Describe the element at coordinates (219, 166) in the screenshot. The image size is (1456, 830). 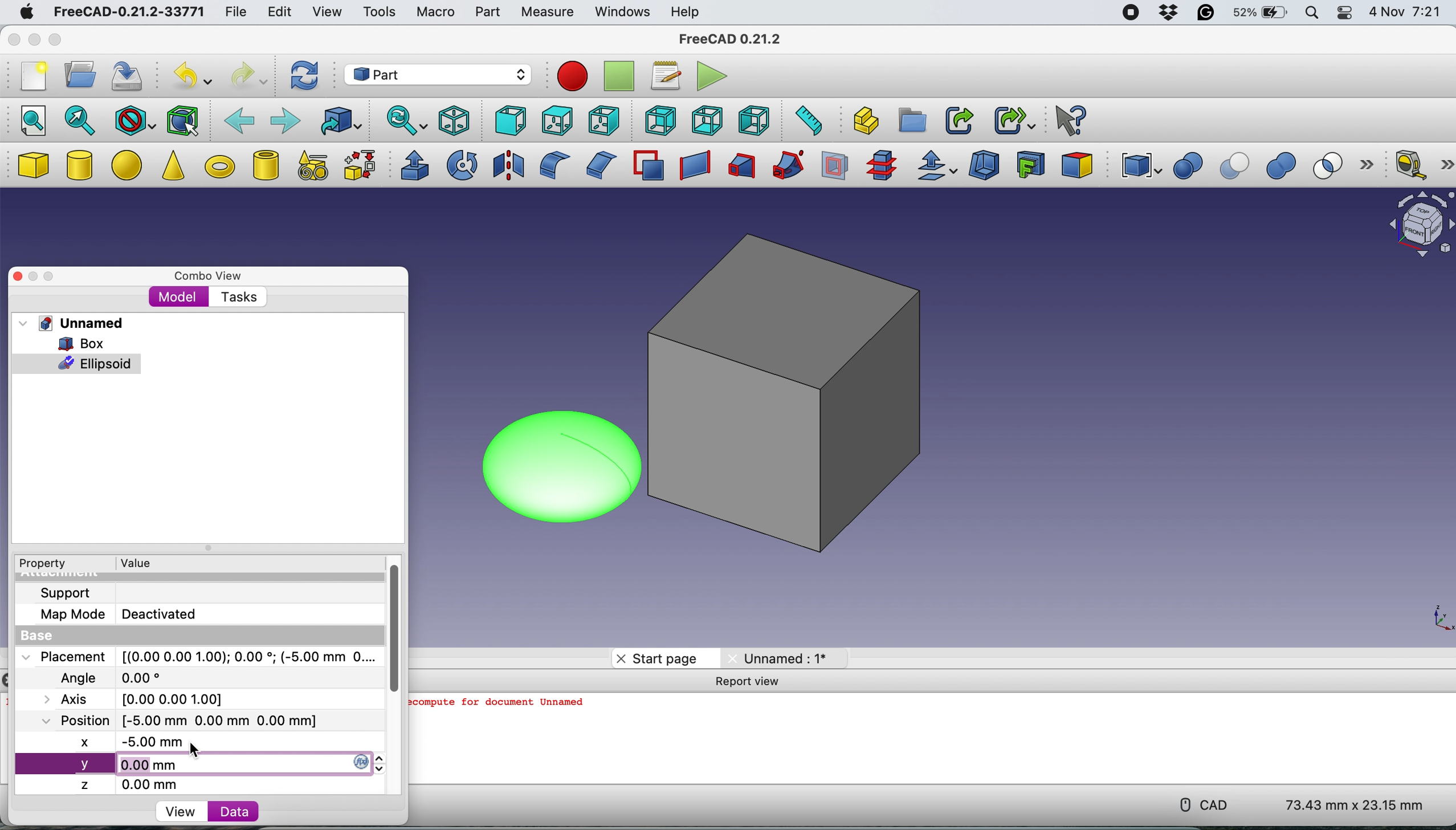
I see `torus` at that location.